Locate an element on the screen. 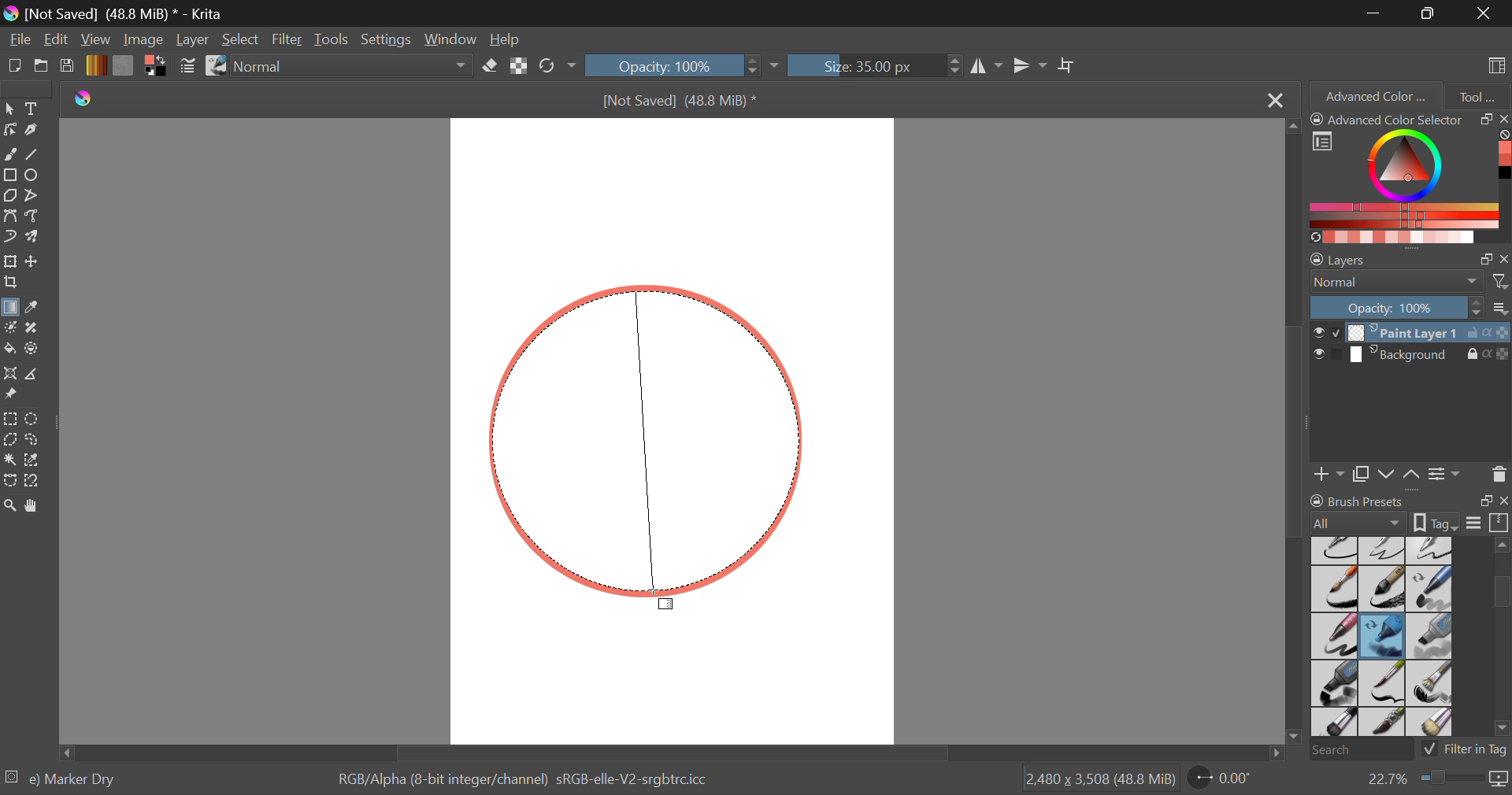 This screenshot has width=1512, height=795. Window is located at coordinates (455, 40).